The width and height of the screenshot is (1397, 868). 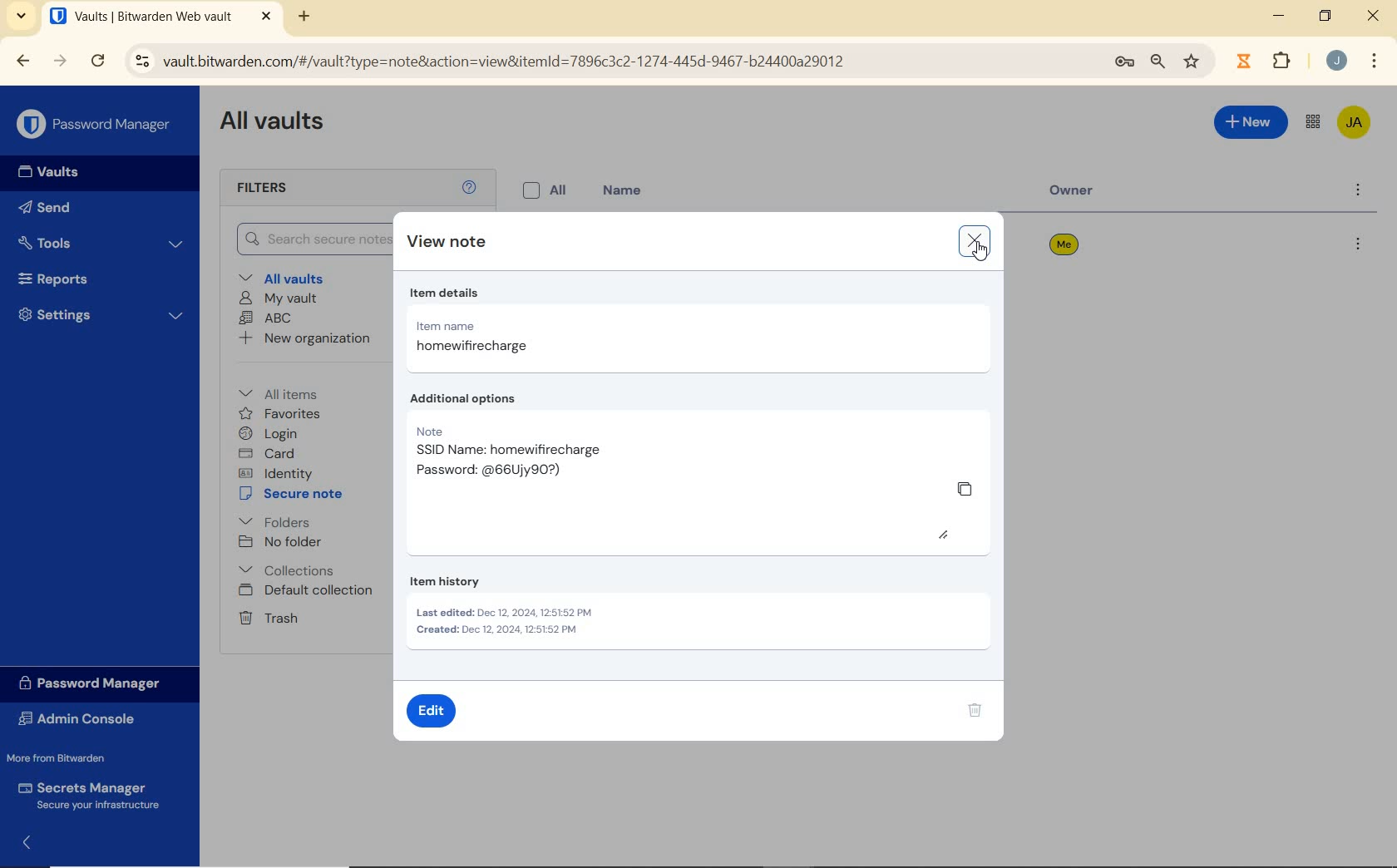 What do you see at coordinates (306, 18) in the screenshot?
I see `new tab` at bounding box center [306, 18].